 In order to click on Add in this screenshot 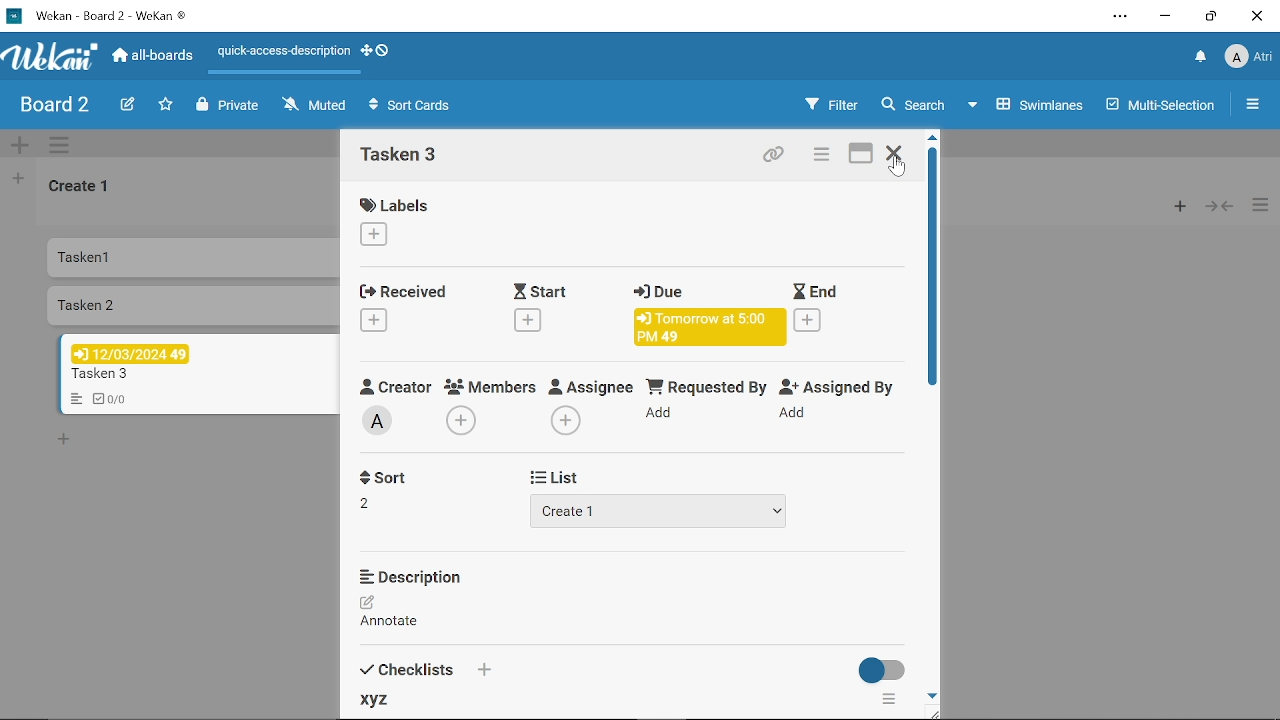, I will do `click(1181, 205)`.